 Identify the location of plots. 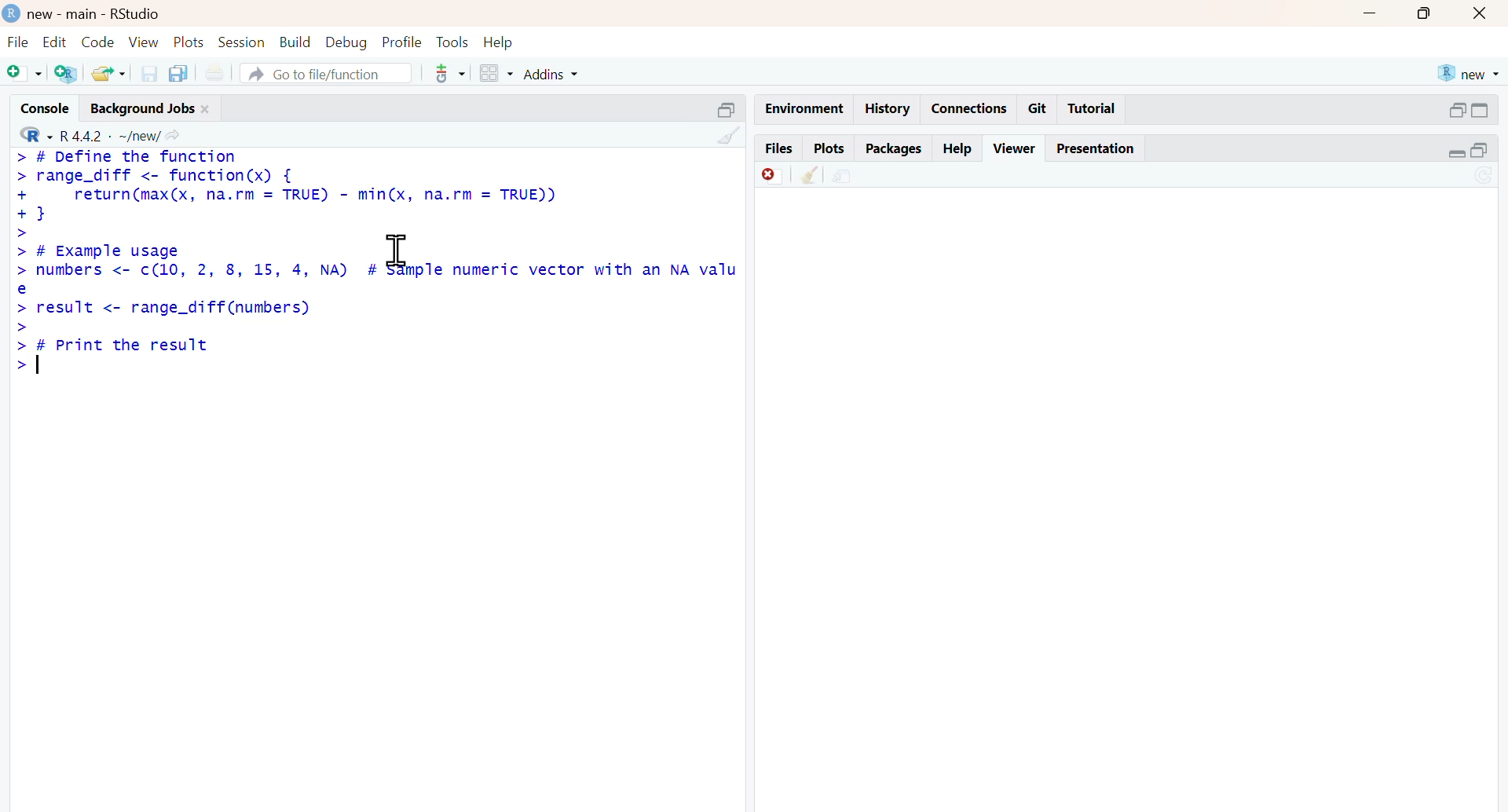
(829, 149).